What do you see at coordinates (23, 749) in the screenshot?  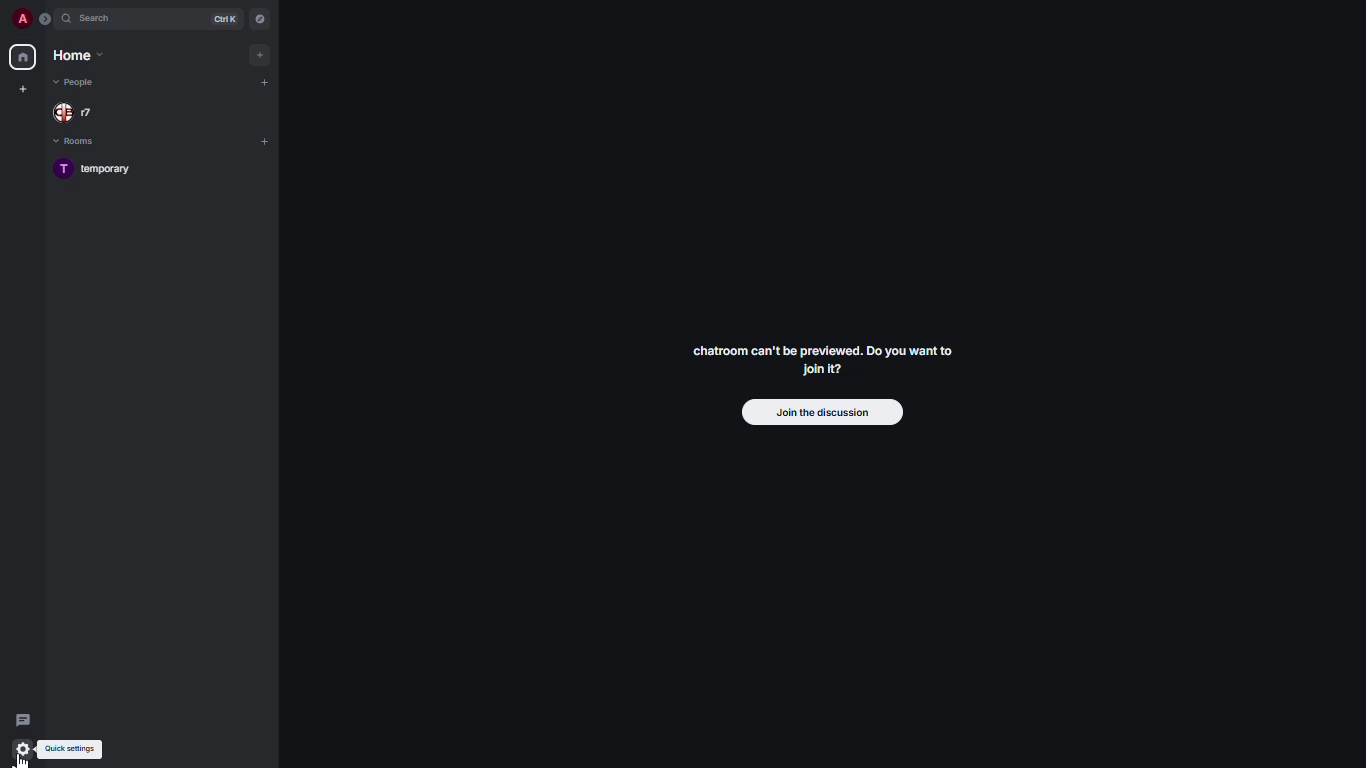 I see `quick settings` at bounding box center [23, 749].